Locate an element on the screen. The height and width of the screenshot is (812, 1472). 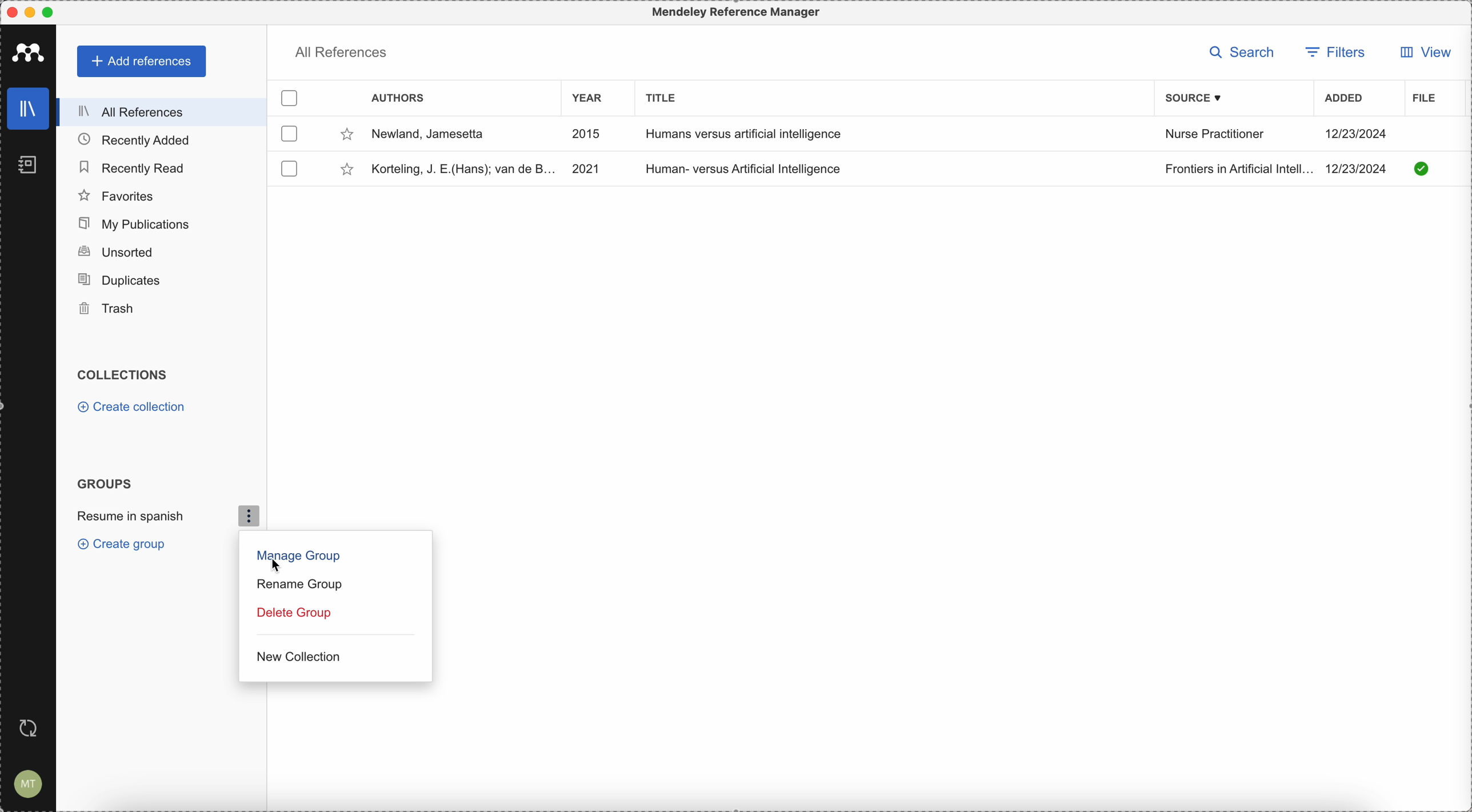
12/23/2024 is located at coordinates (1357, 133).